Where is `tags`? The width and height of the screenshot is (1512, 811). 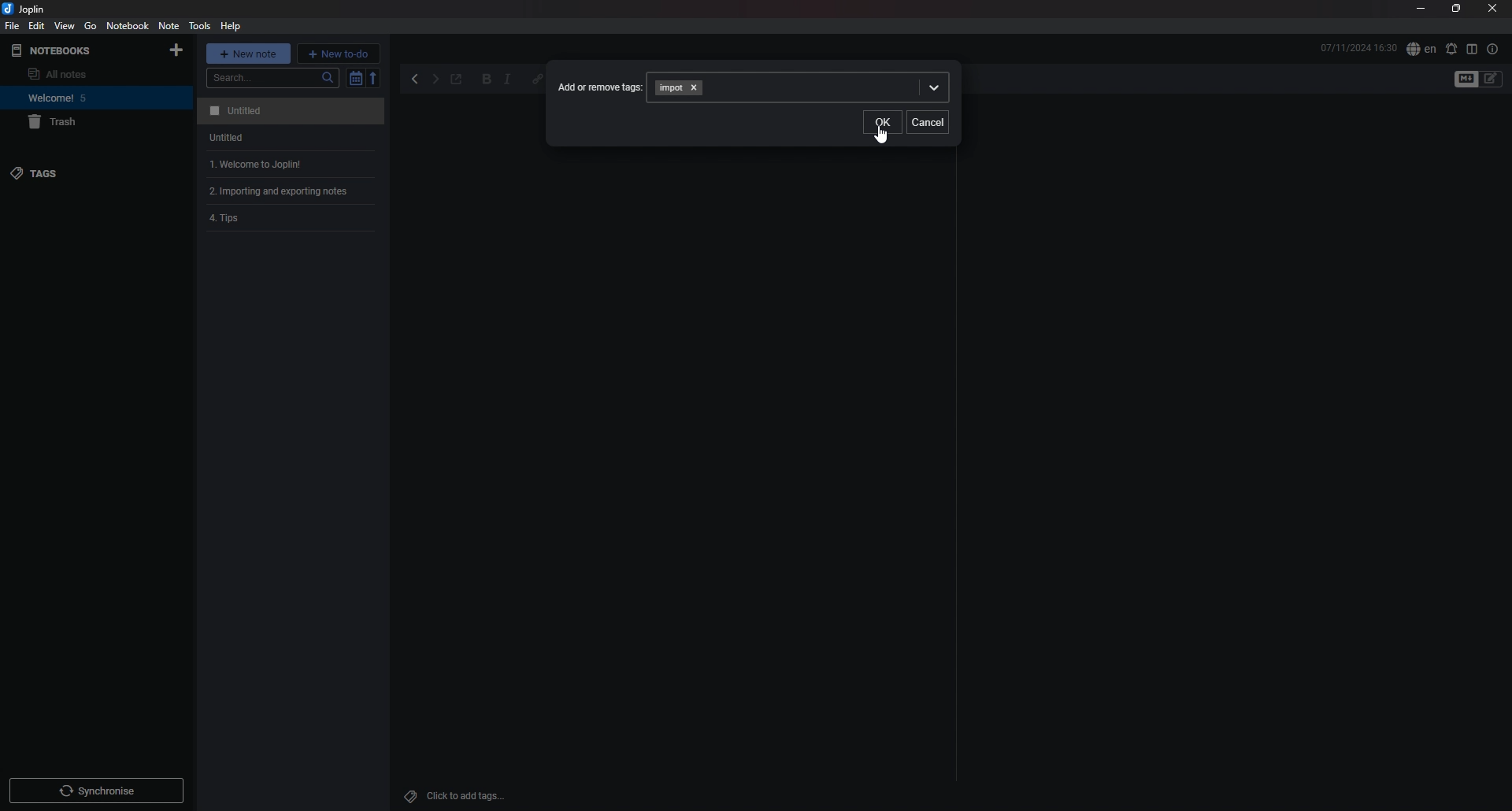
tags is located at coordinates (76, 172).